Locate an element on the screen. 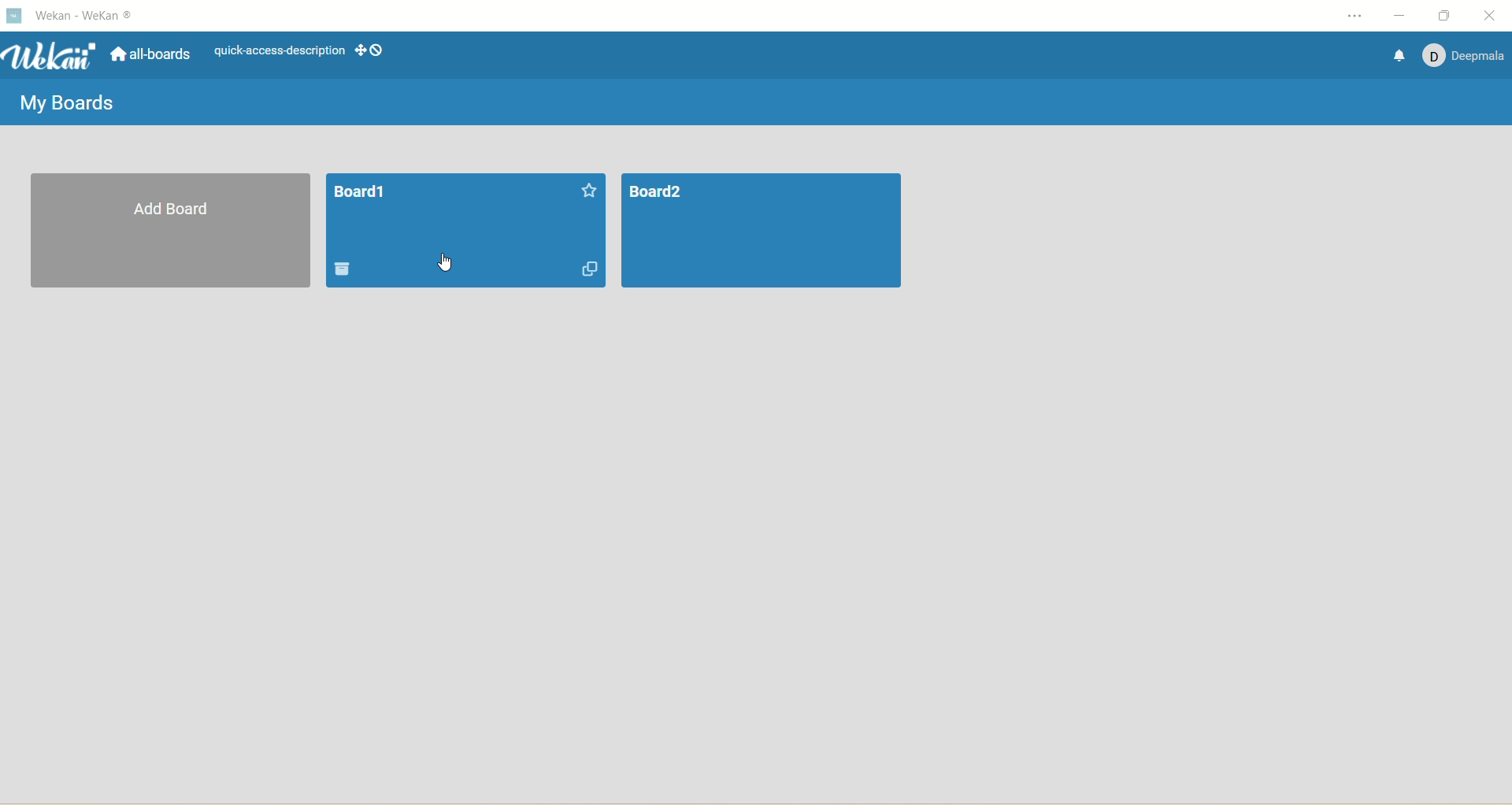 The width and height of the screenshot is (1512, 805). setting and more is located at coordinates (1348, 13).